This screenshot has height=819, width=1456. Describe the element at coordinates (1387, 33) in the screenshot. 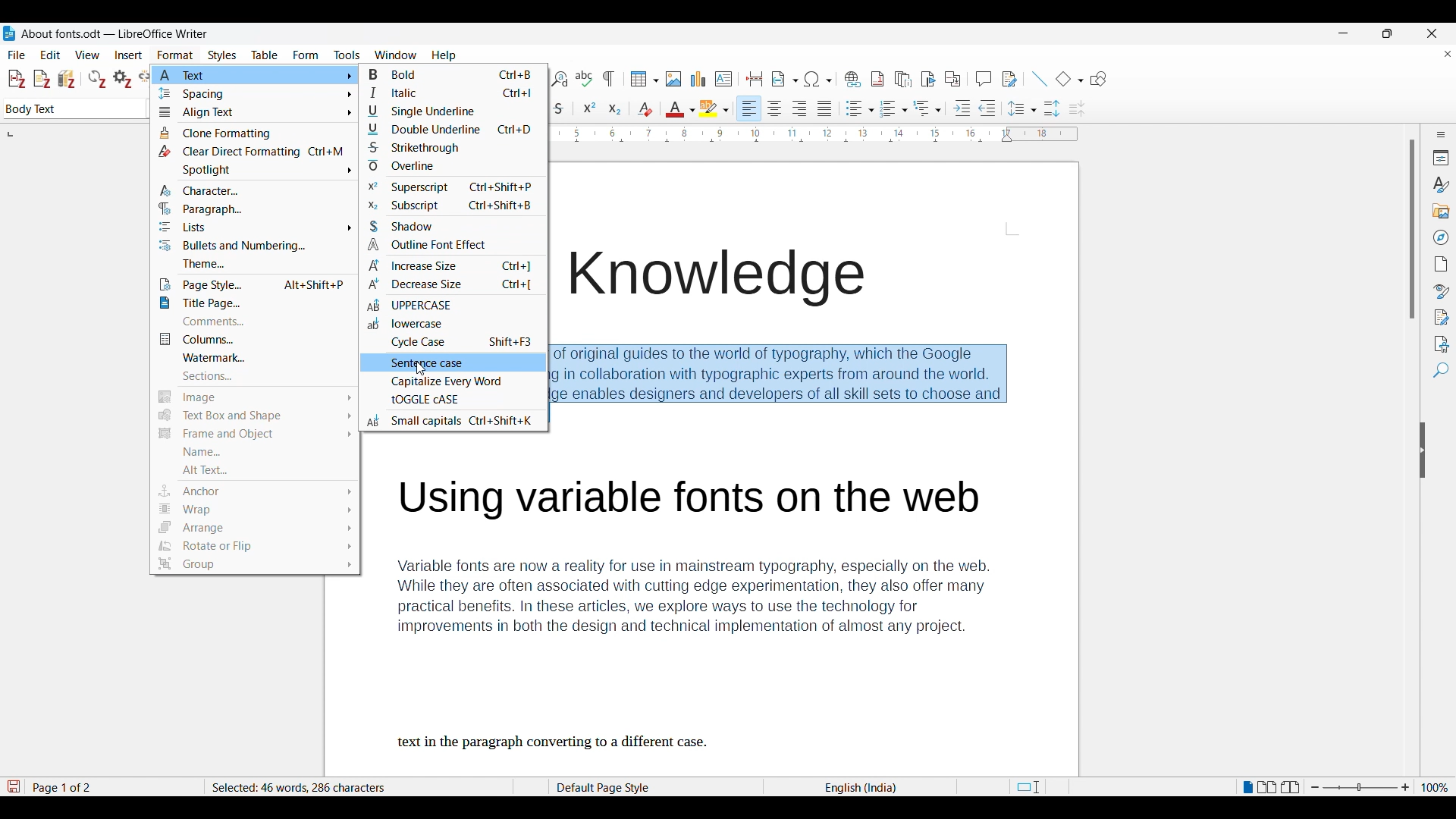

I see `Show in smaller tab` at that location.